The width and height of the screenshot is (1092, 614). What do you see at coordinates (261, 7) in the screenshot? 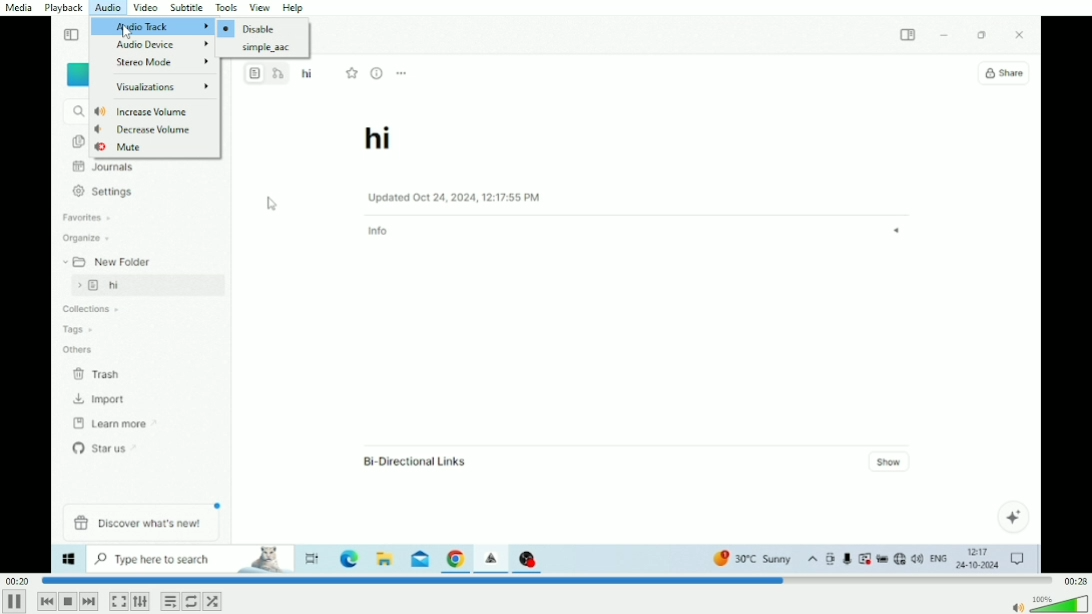
I see `View` at bounding box center [261, 7].